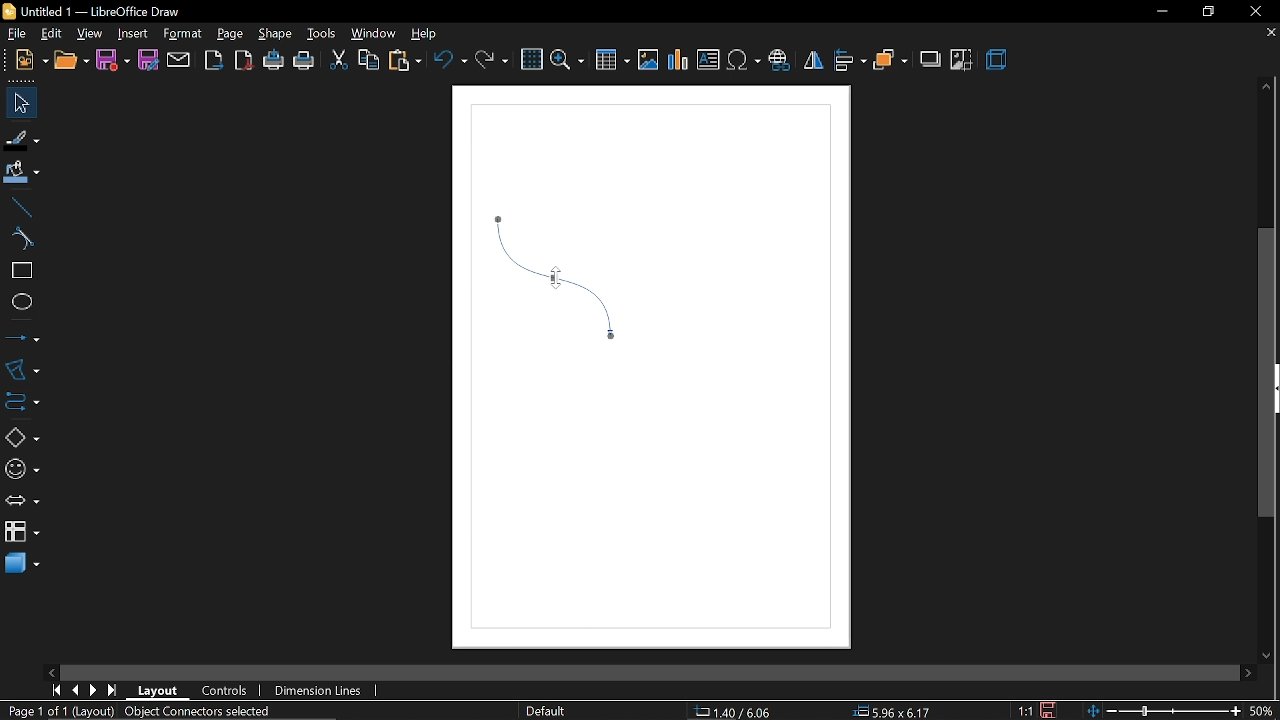 This screenshot has height=720, width=1280. Describe the element at coordinates (114, 690) in the screenshot. I see `go to last page` at that location.